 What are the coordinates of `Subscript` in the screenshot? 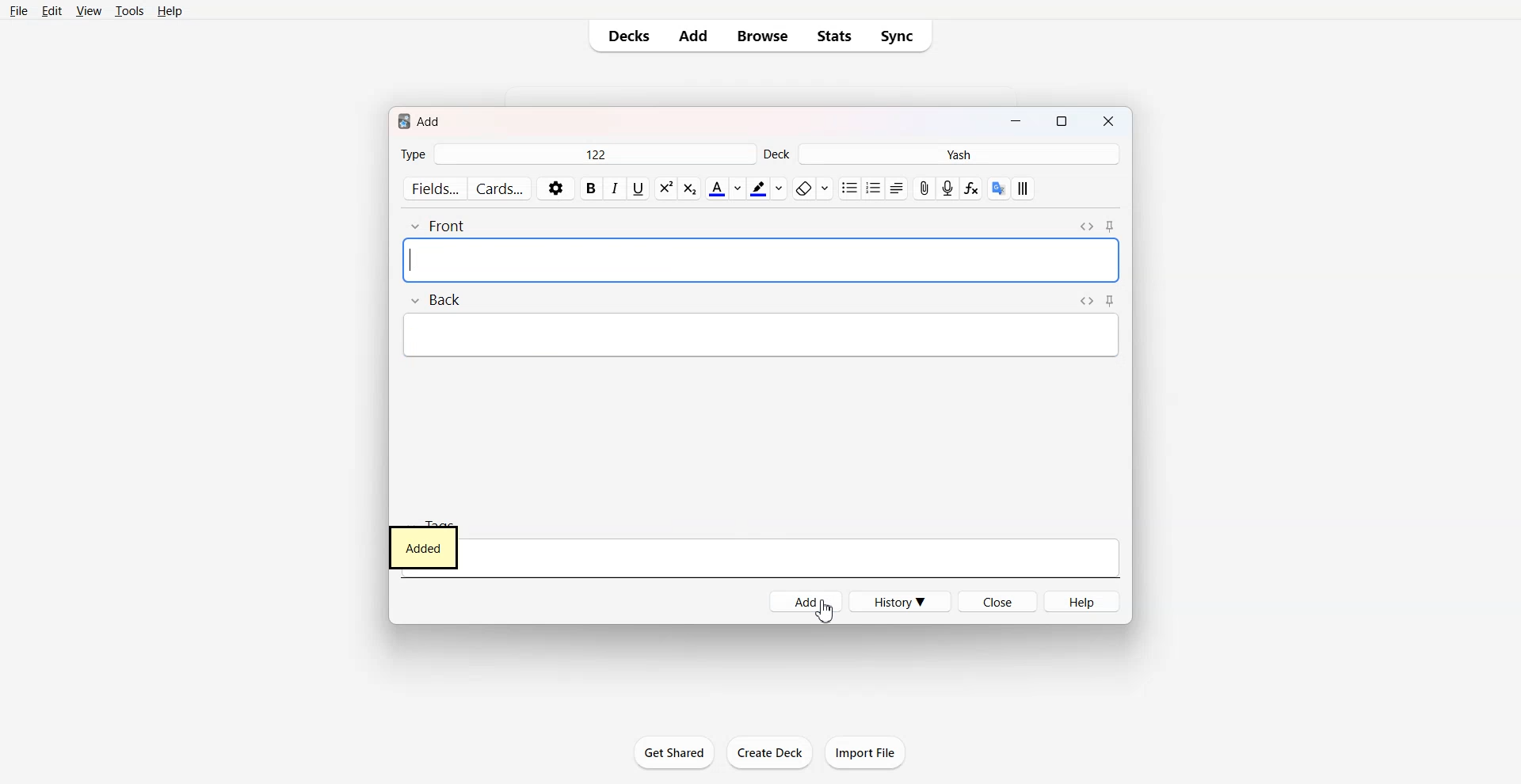 It's located at (665, 188).